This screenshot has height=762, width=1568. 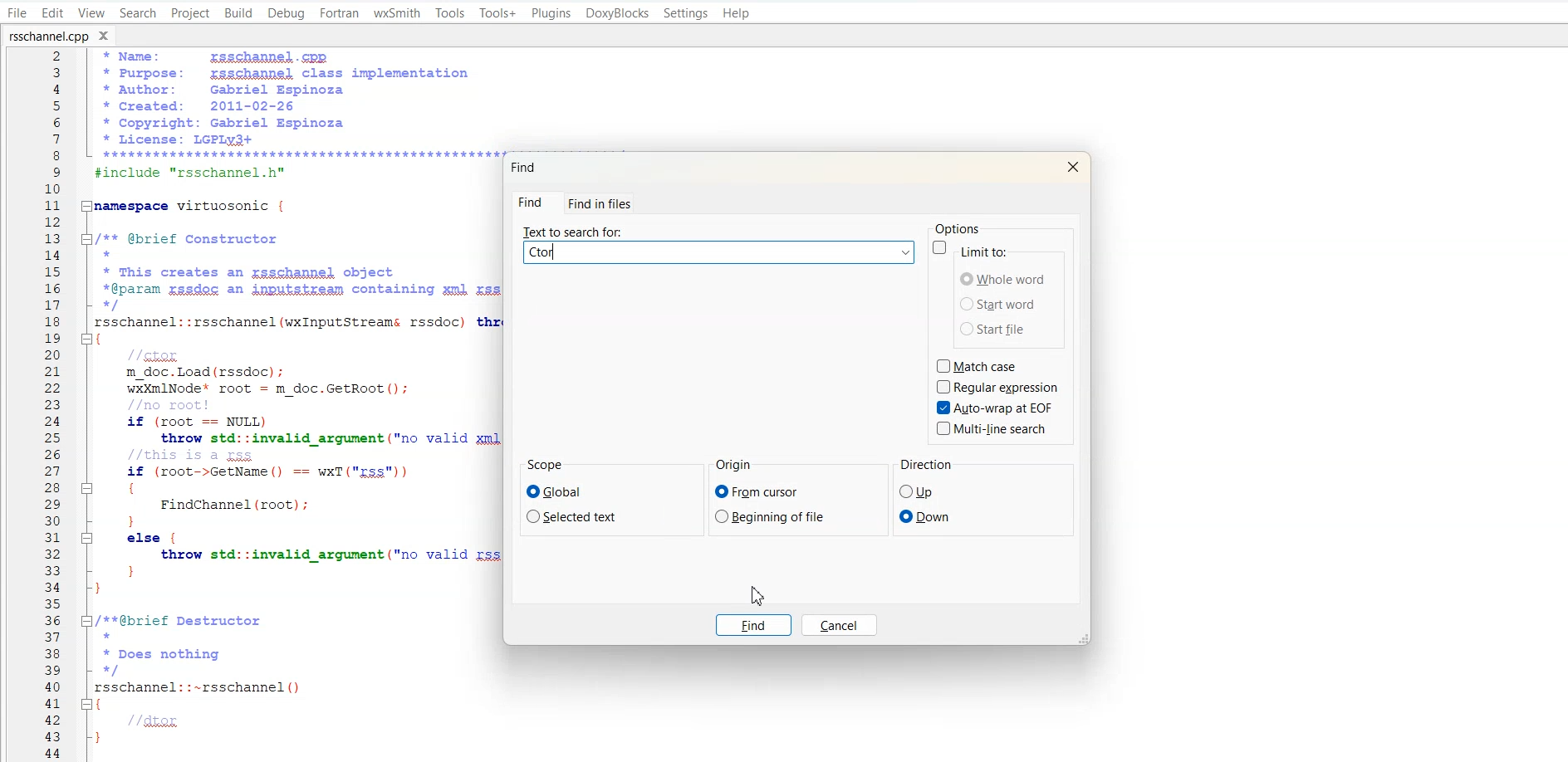 I want to click on Direction, so click(x=926, y=466).